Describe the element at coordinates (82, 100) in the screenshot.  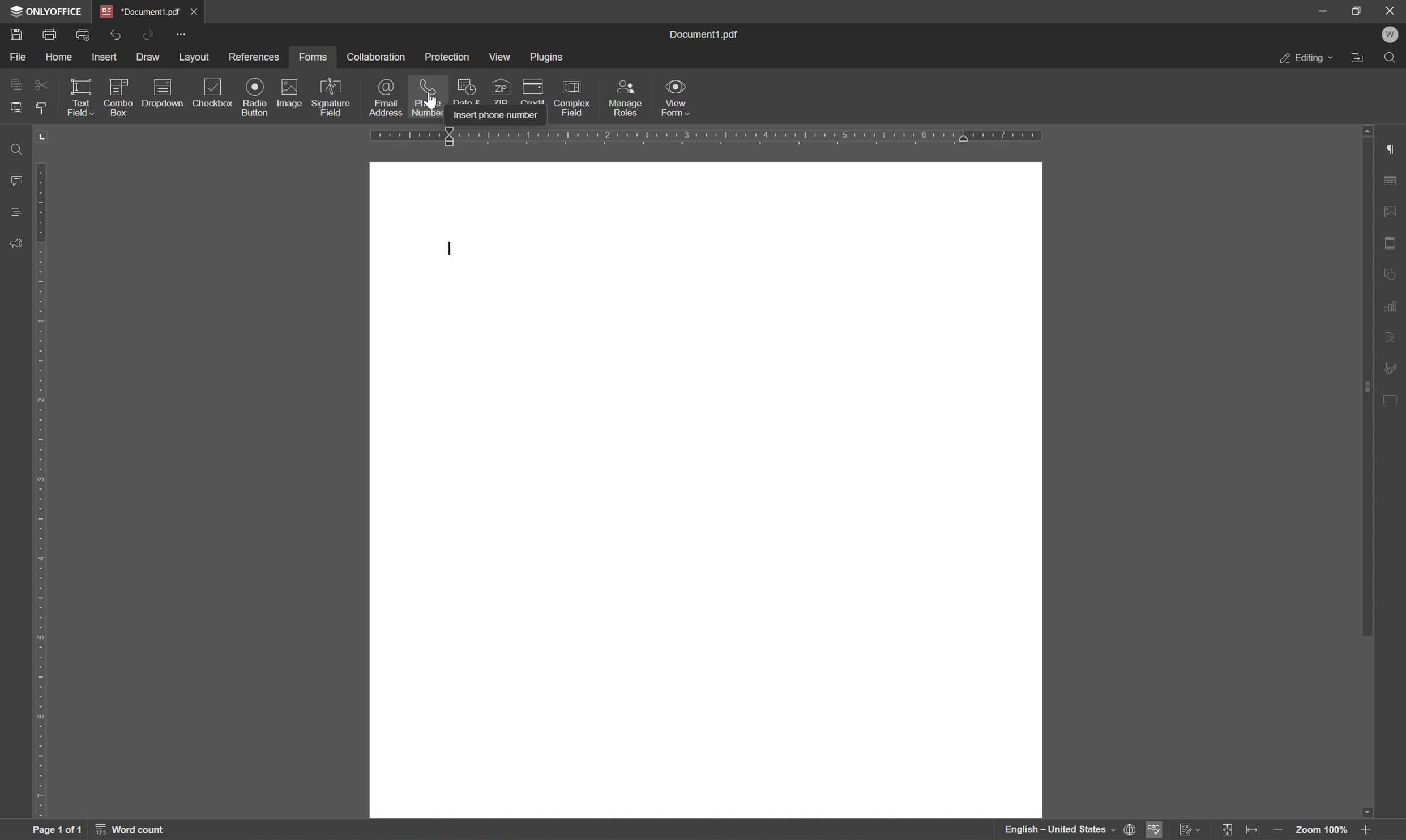
I see `text field` at that location.